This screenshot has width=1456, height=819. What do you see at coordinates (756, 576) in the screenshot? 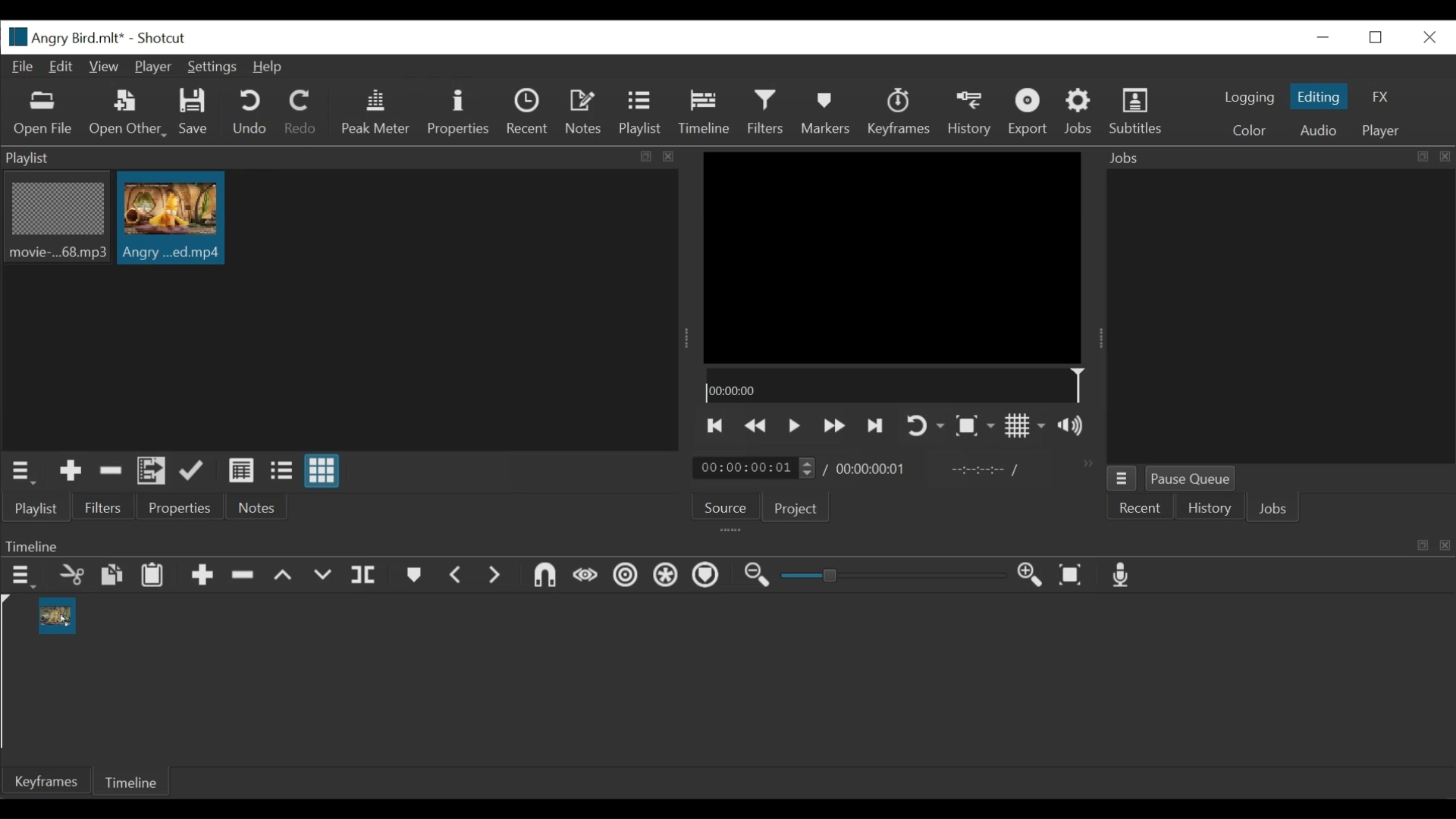
I see `Zoom timeline out` at bounding box center [756, 576].